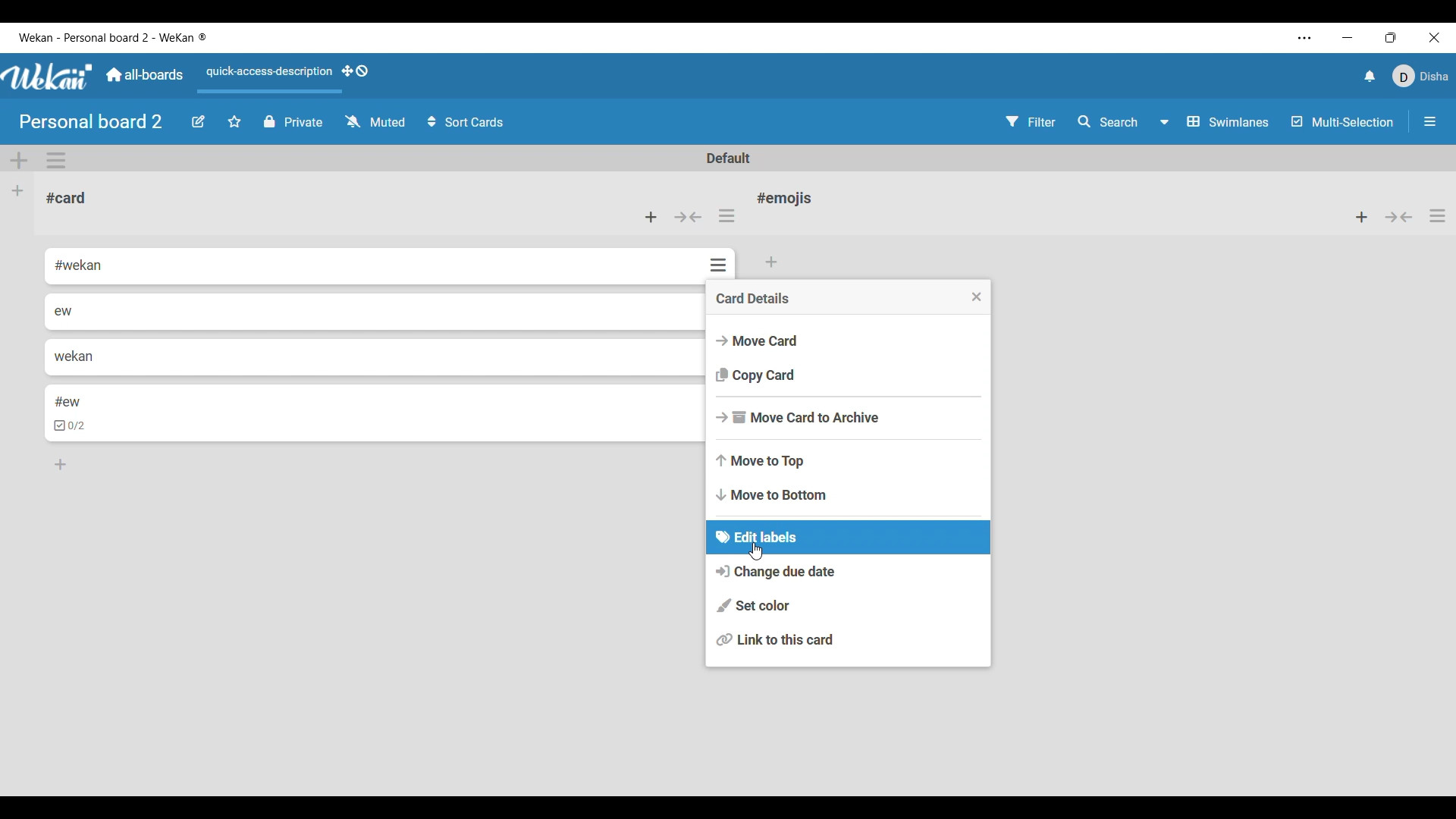  I want to click on checkbox , so click(71, 426).